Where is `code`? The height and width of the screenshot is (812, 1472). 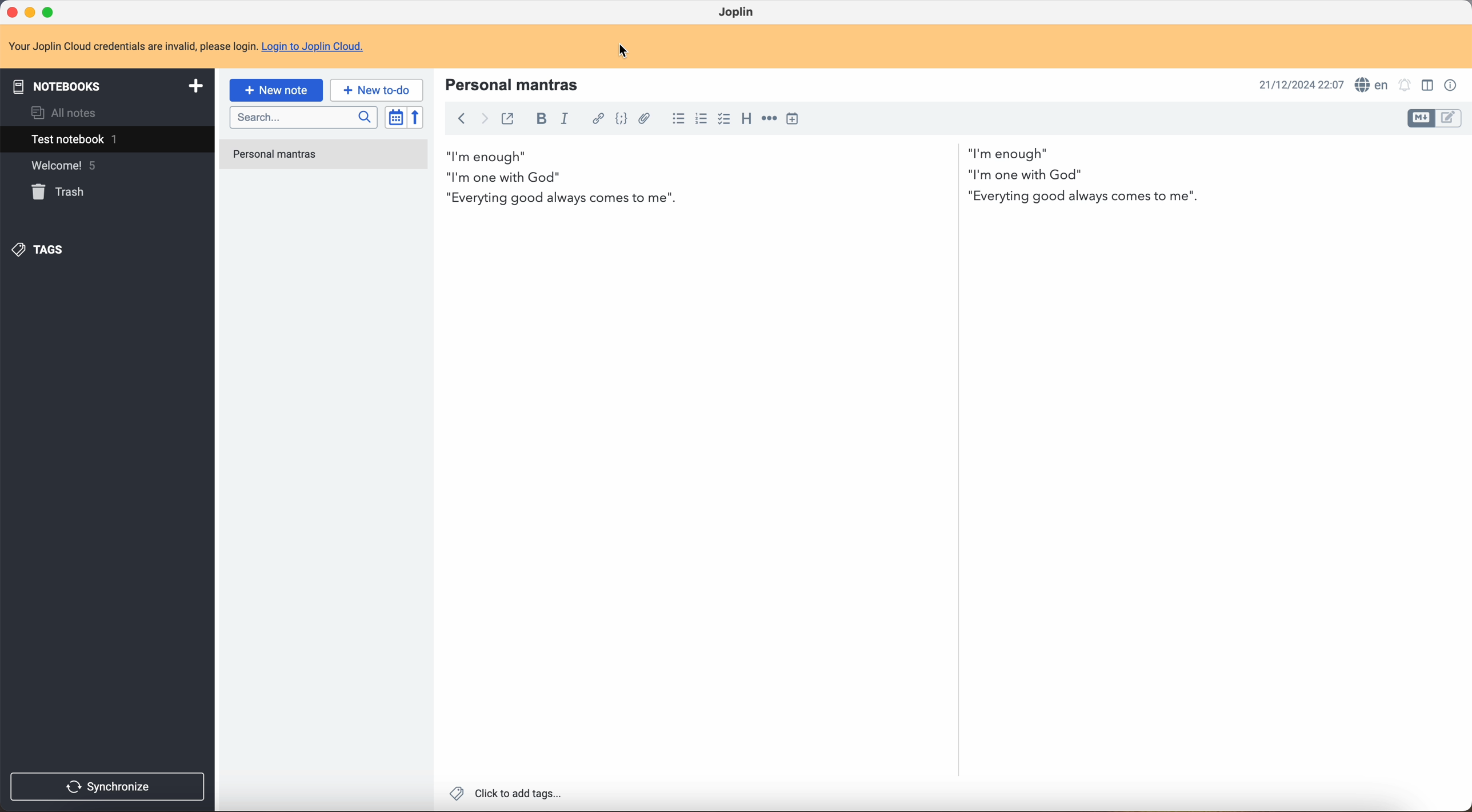
code is located at coordinates (620, 120).